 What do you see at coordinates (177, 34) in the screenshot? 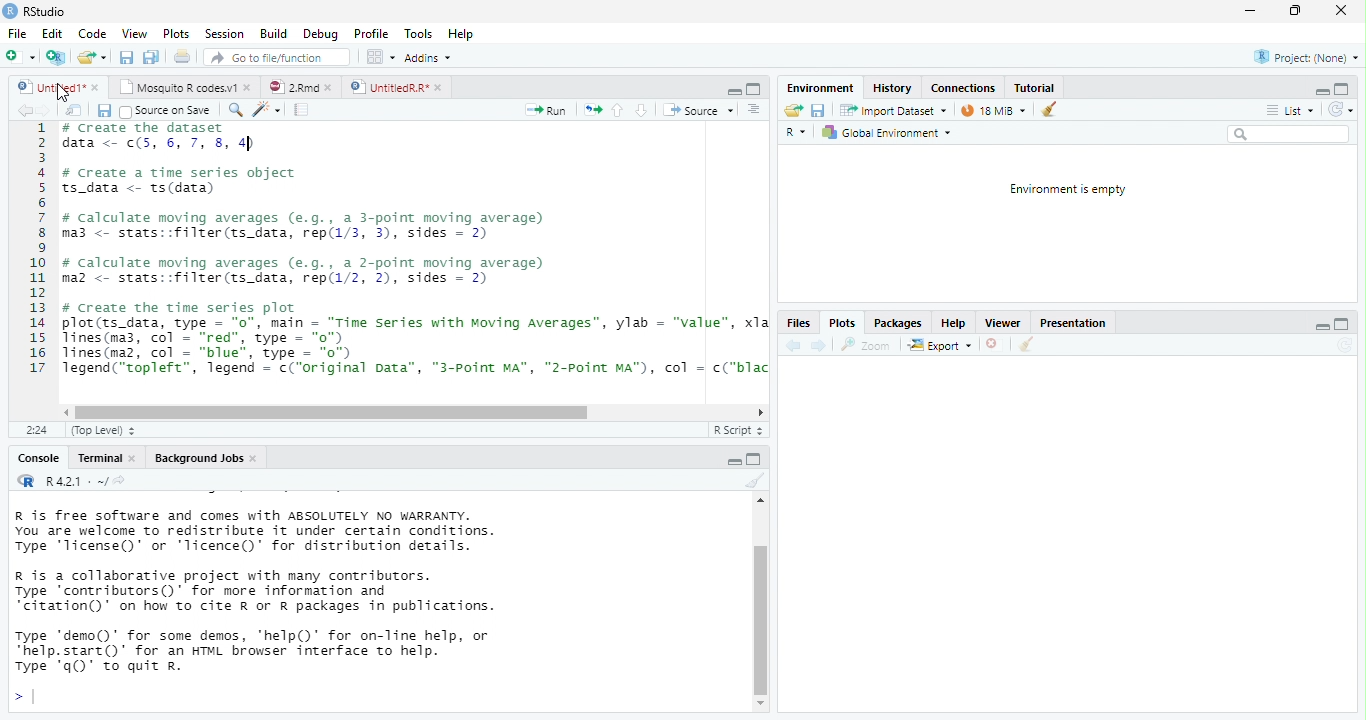
I see `Plots` at bounding box center [177, 34].